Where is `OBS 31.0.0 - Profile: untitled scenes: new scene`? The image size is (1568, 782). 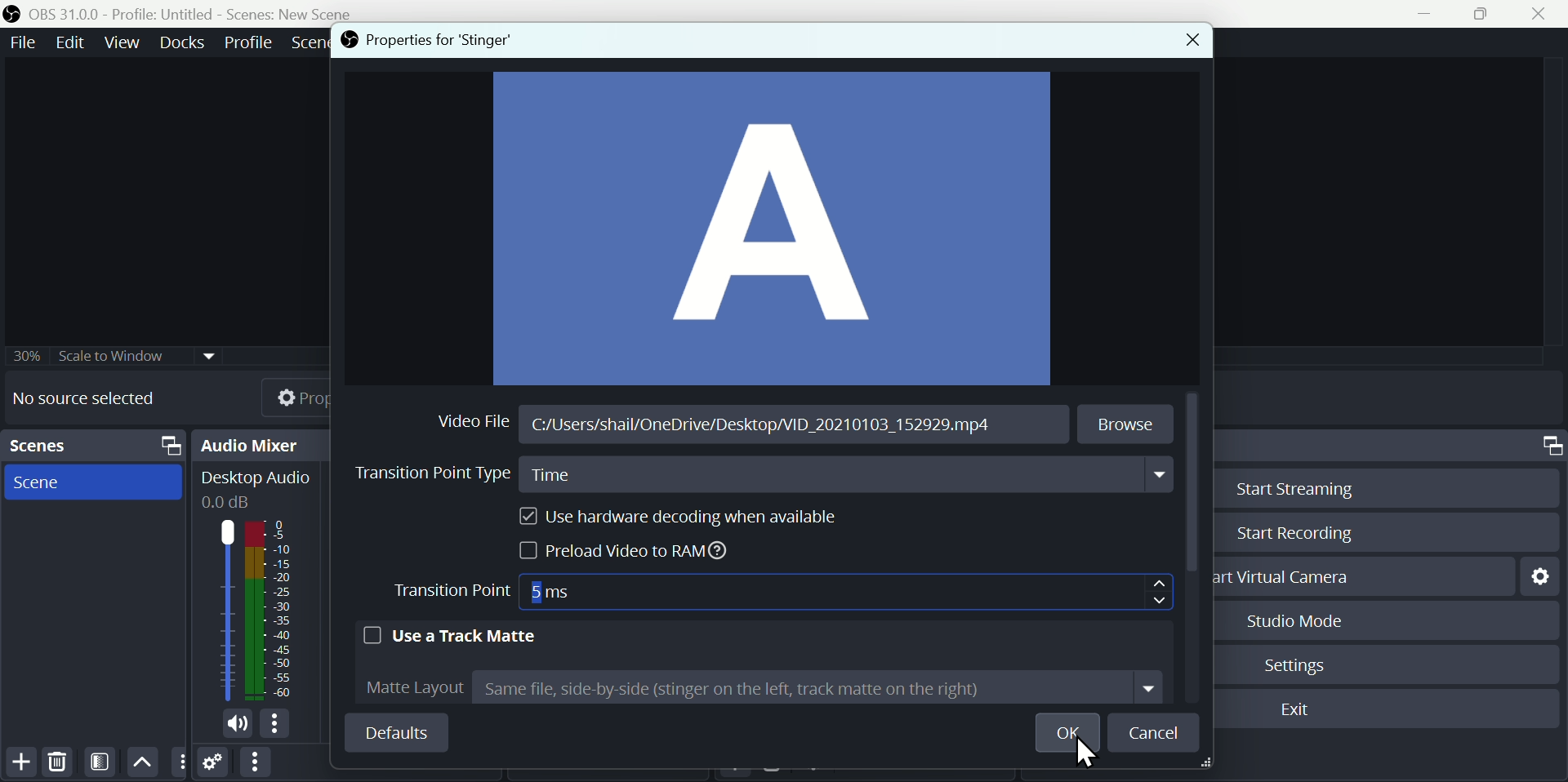 OBS 31.0.0 - Profile: untitled scenes: new scene is located at coordinates (185, 13).